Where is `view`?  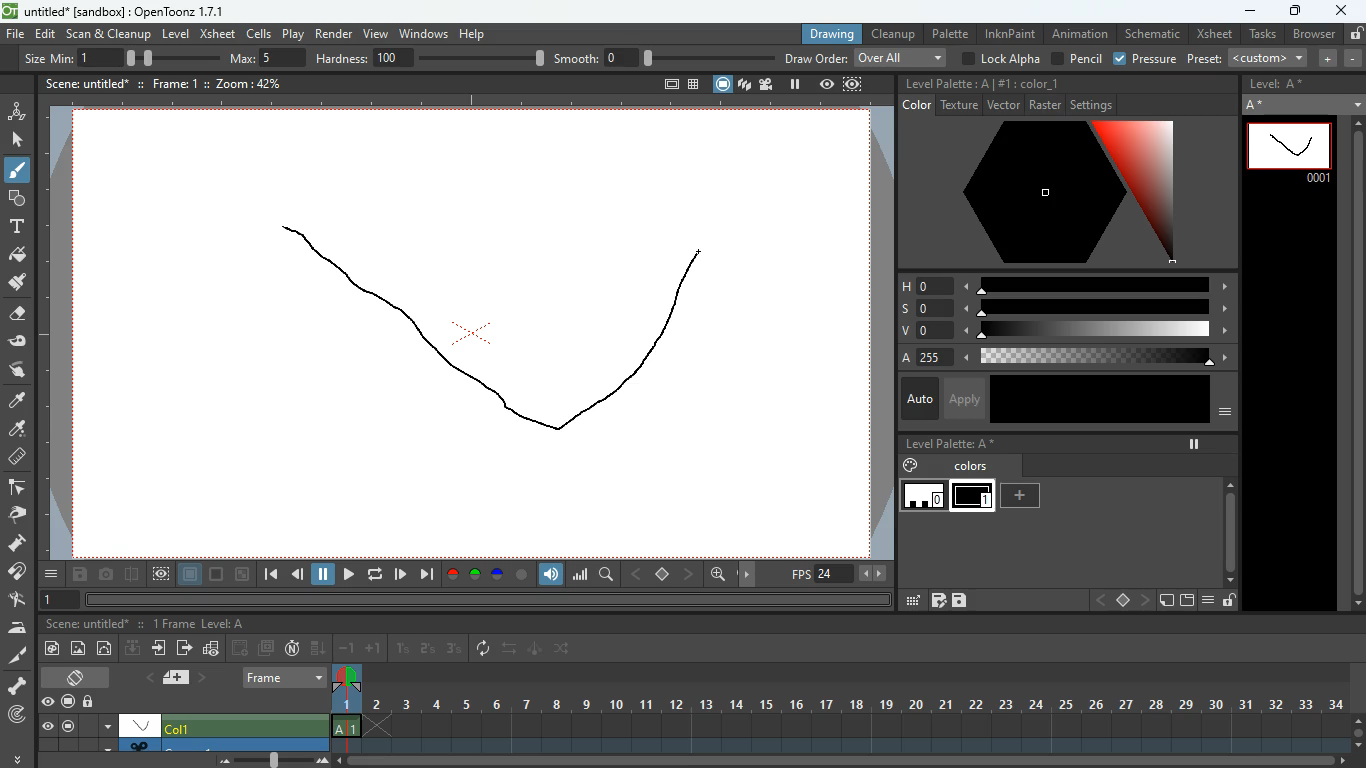
view is located at coordinates (374, 31).